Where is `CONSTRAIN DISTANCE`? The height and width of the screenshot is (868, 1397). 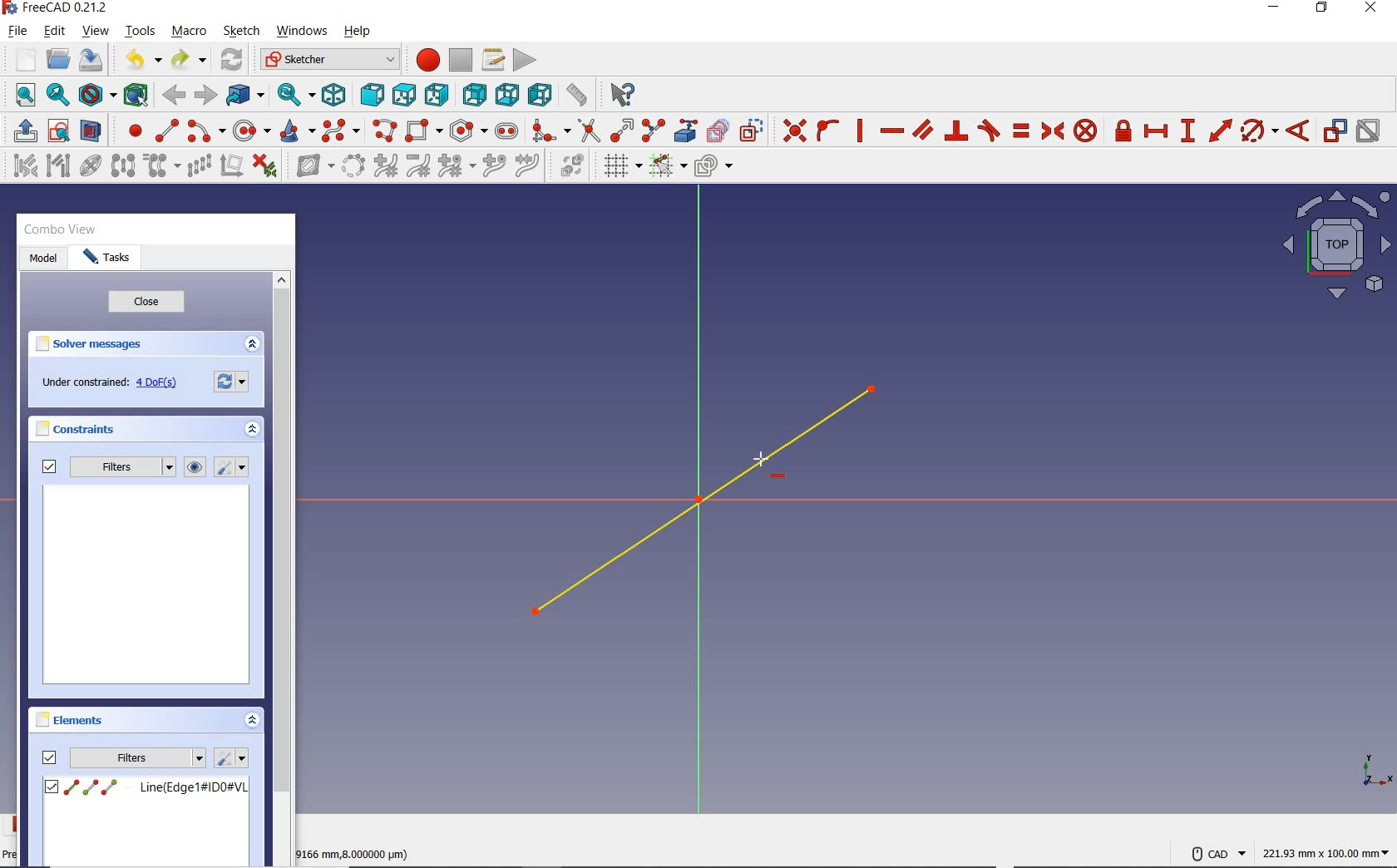 CONSTRAIN DISTANCE is located at coordinates (1220, 130).